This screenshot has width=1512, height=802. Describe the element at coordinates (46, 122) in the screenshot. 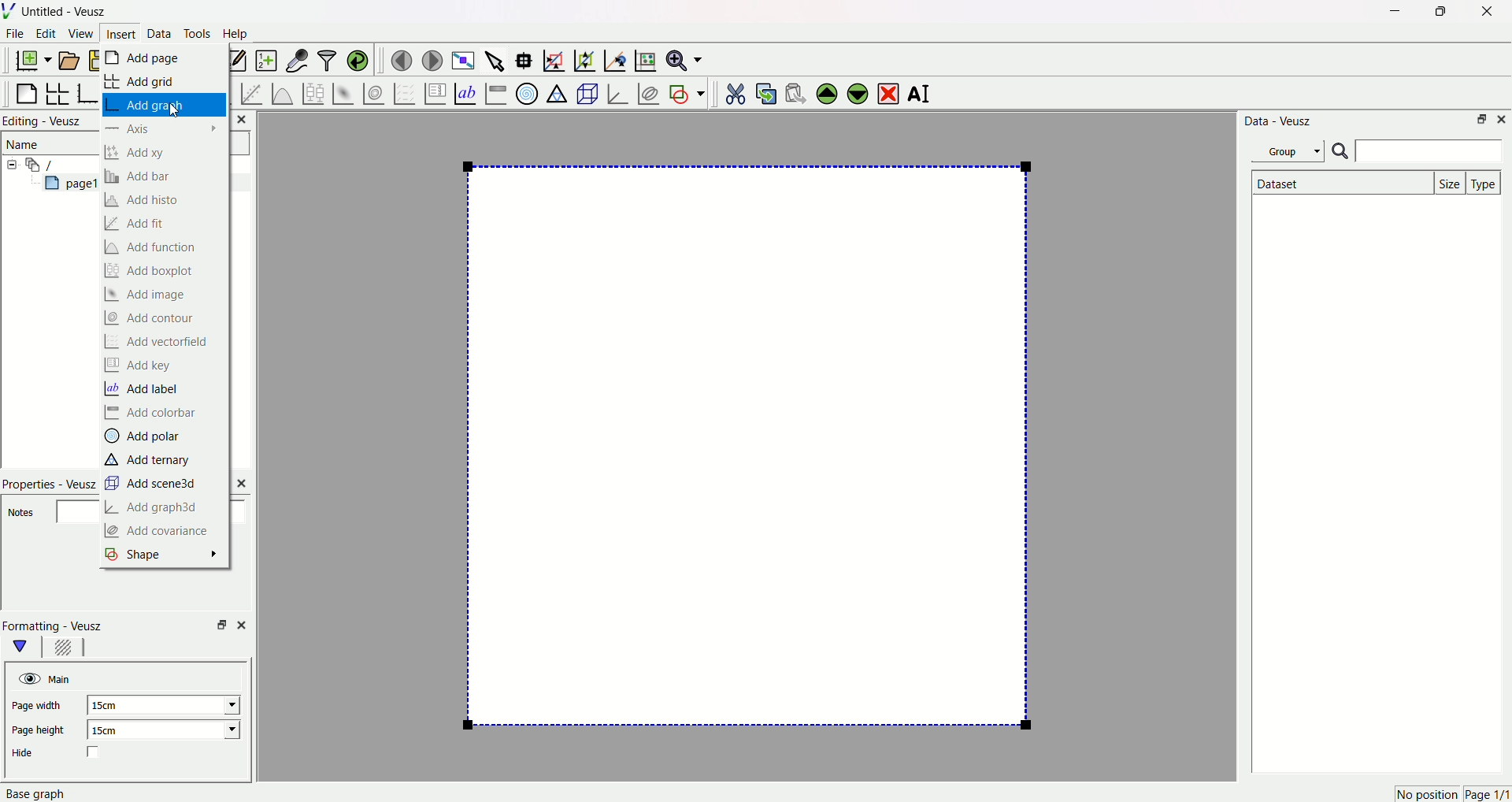

I see `Editing - Veusz` at that location.